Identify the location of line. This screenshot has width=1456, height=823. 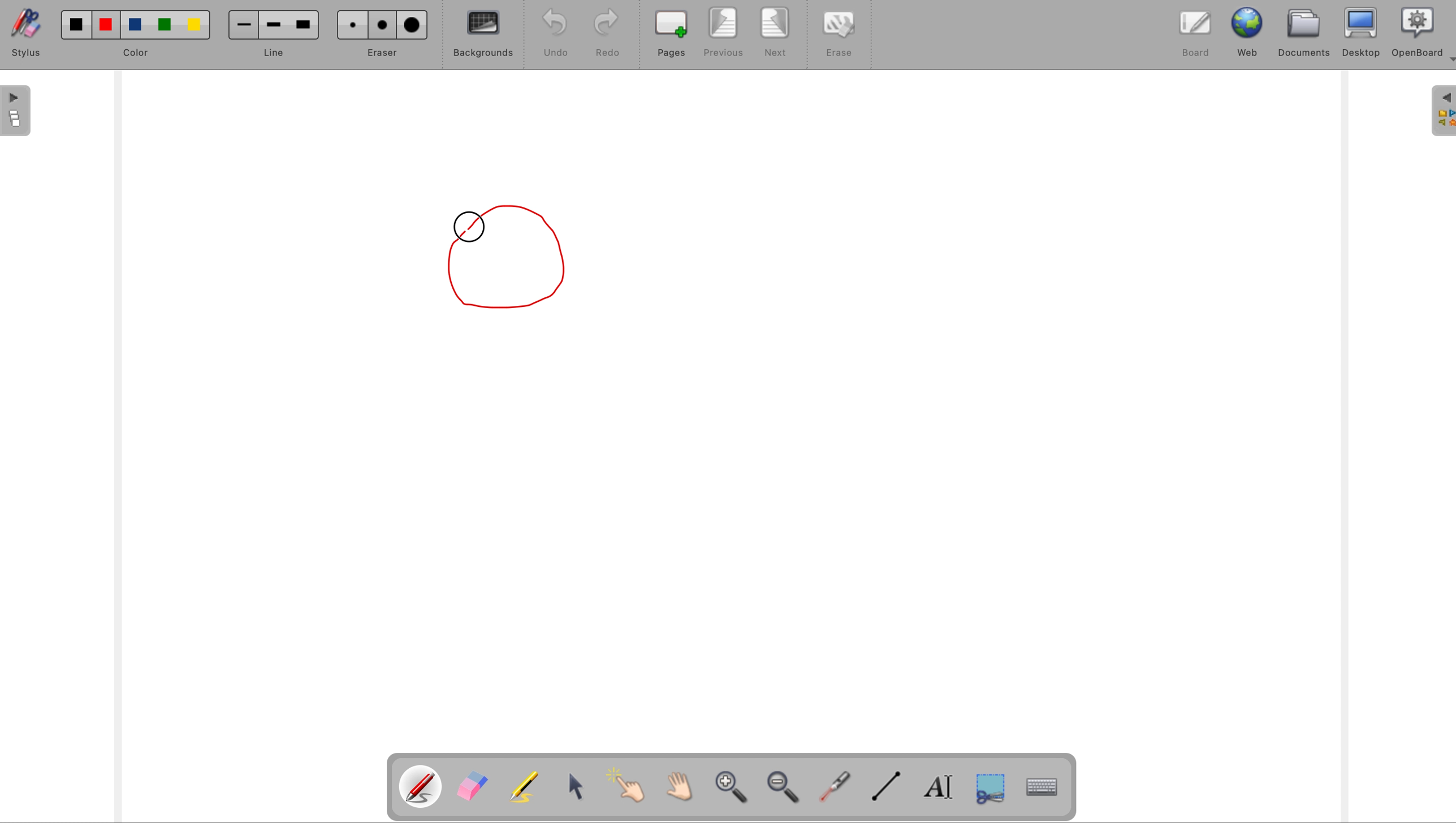
(271, 35).